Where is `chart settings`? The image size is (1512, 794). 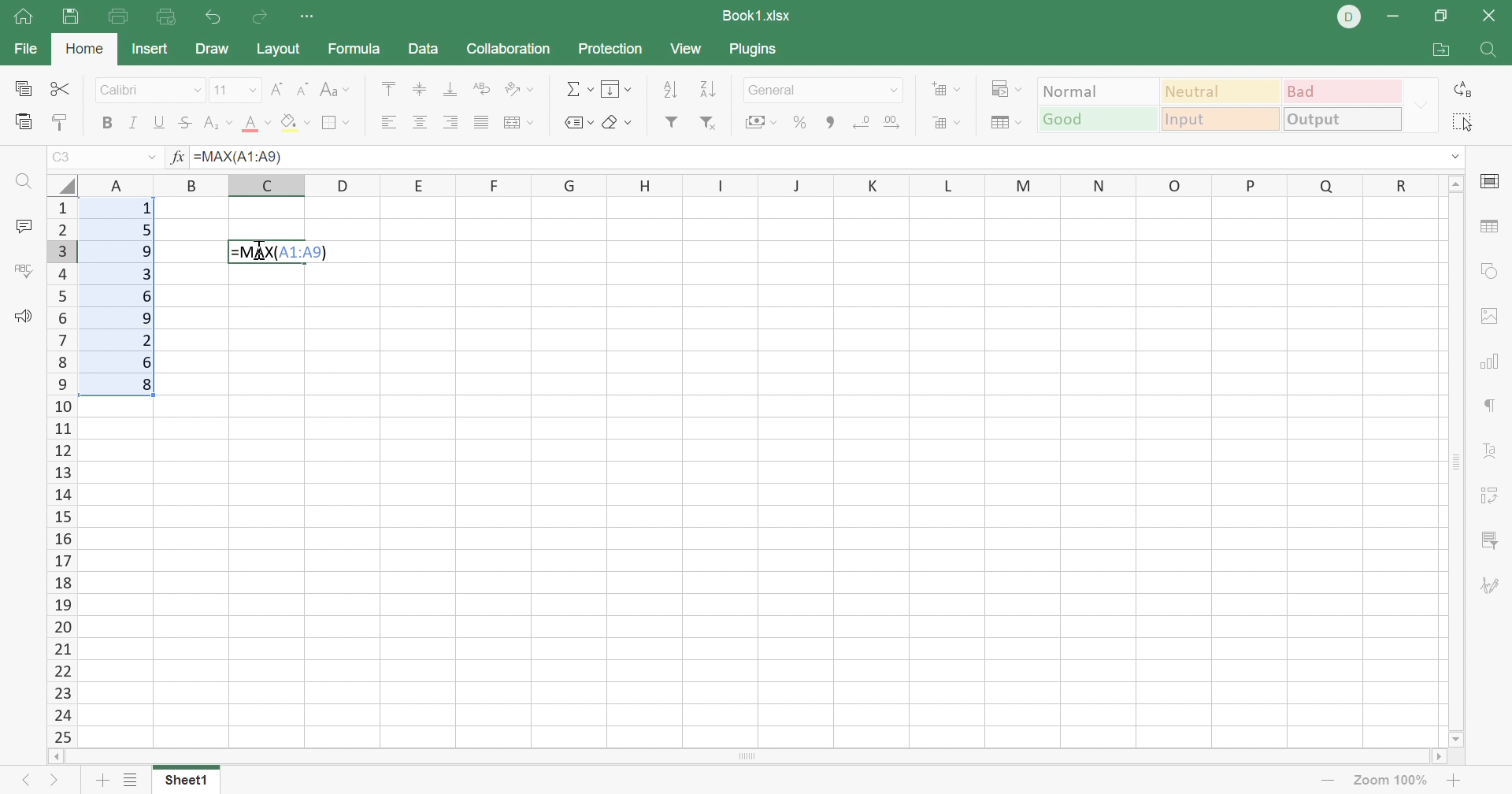
chart settings is located at coordinates (1492, 362).